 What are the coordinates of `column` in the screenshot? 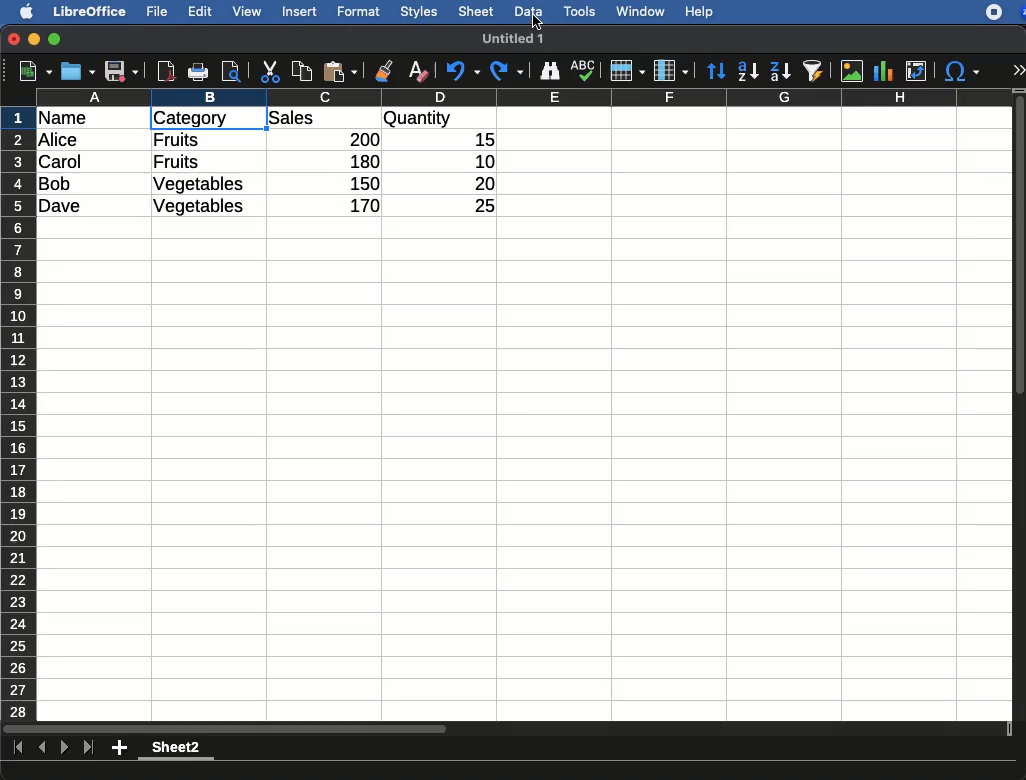 It's located at (671, 72).